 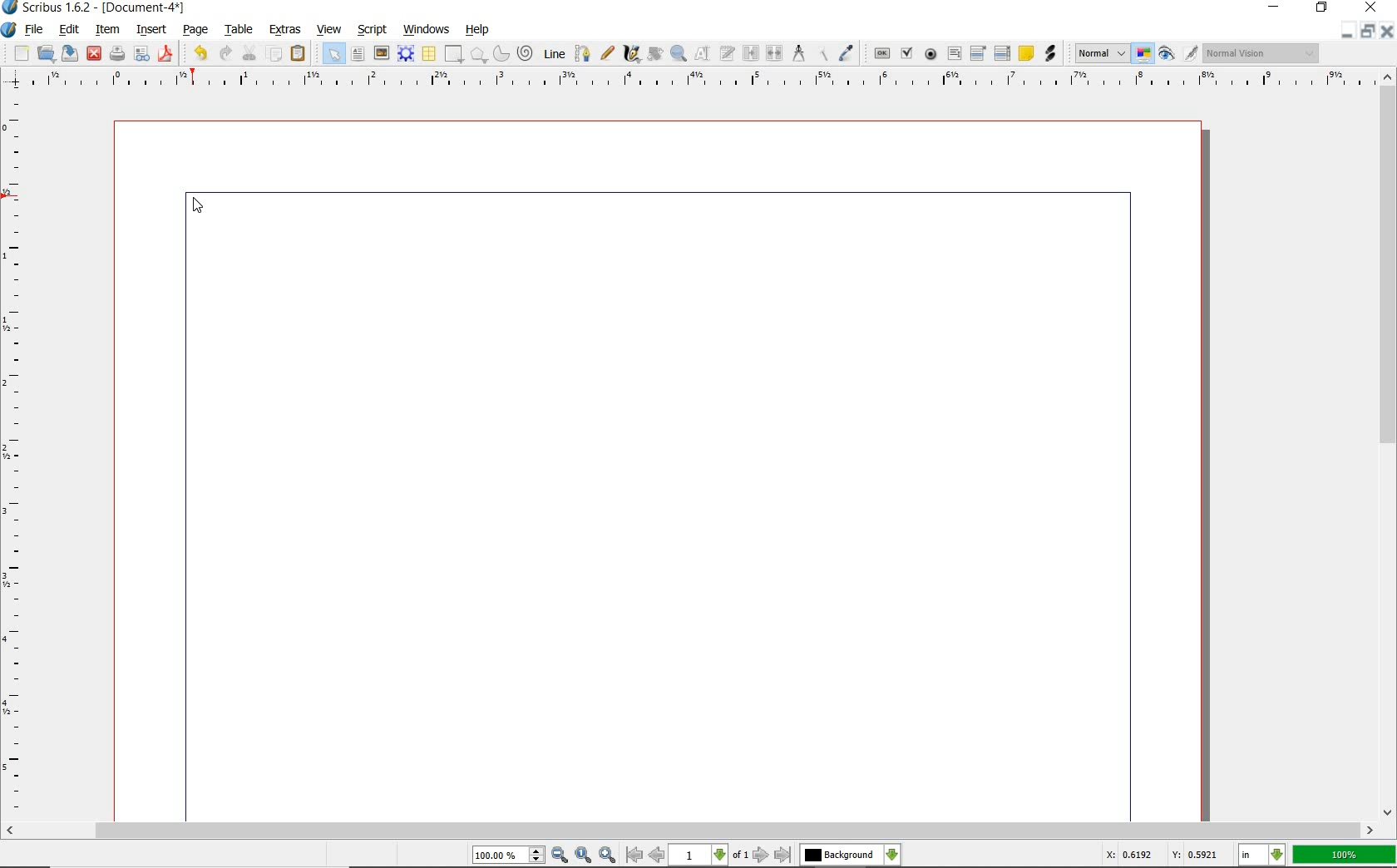 I want to click on link annotation, so click(x=1049, y=55).